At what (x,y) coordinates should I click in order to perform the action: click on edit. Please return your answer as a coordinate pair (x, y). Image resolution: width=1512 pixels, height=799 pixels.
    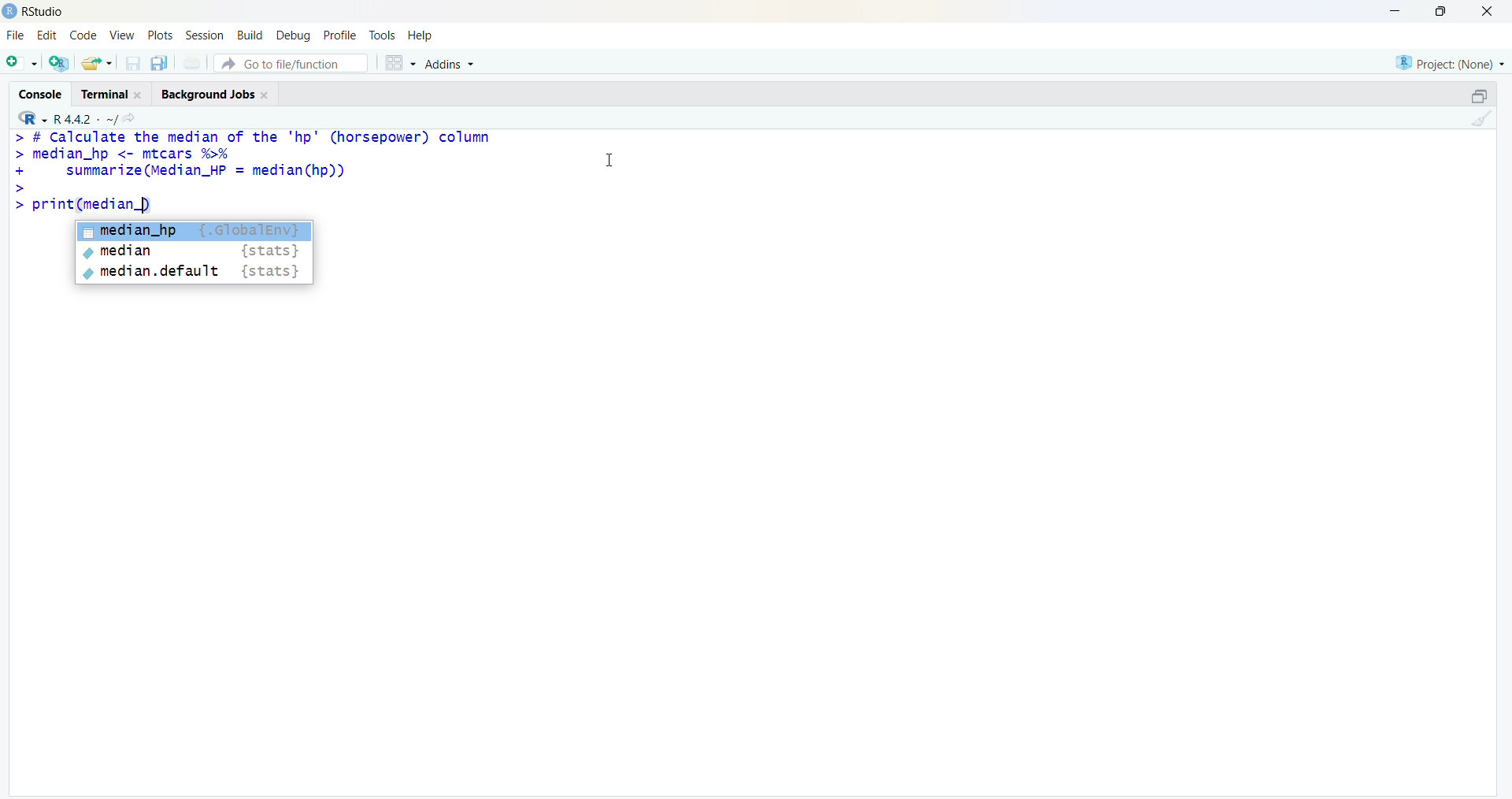
    Looking at the image, I should click on (46, 35).